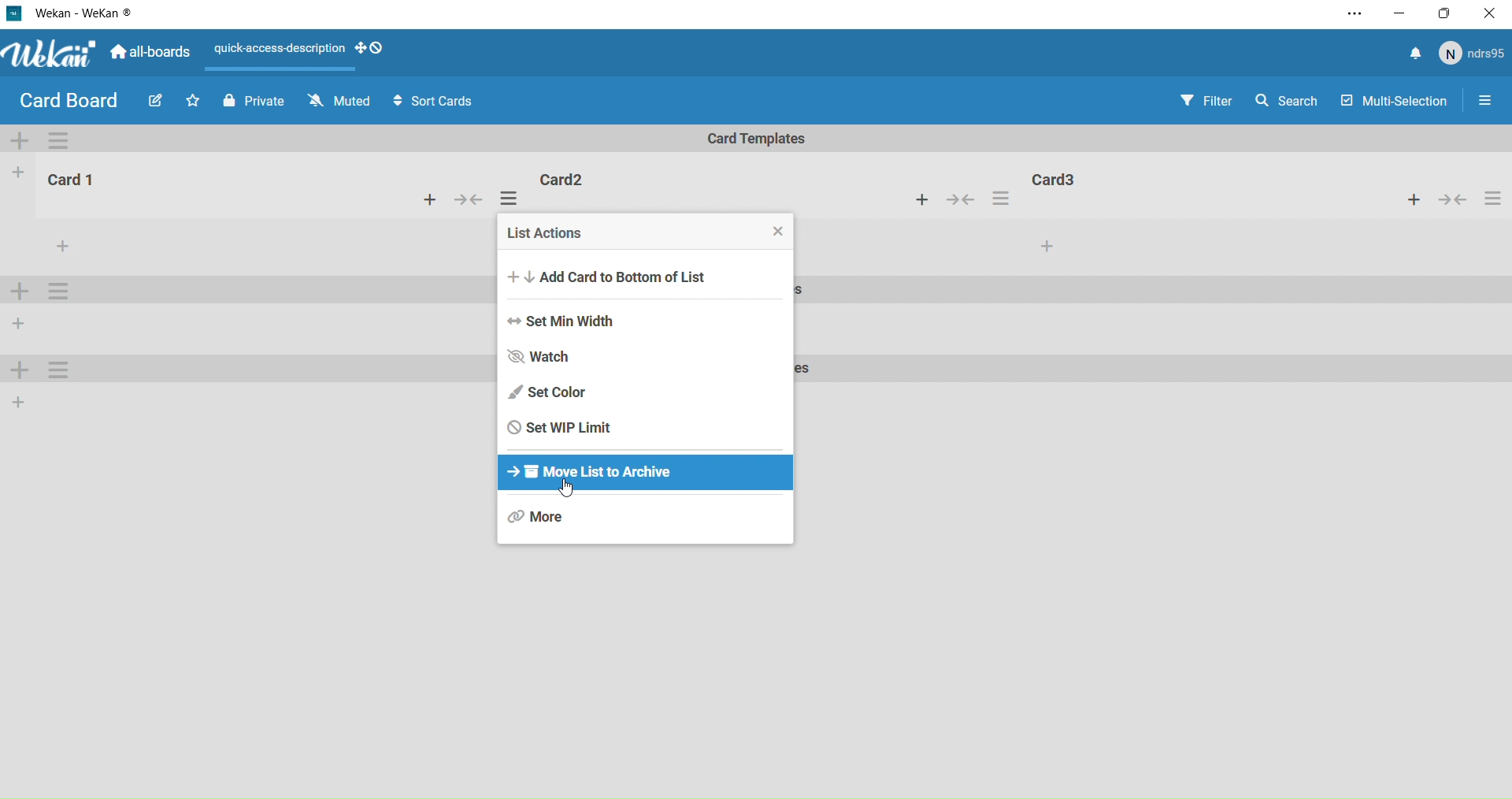 The width and height of the screenshot is (1512, 799). What do you see at coordinates (511, 196) in the screenshot?
I see `actions` at bounding box center [511, 196].